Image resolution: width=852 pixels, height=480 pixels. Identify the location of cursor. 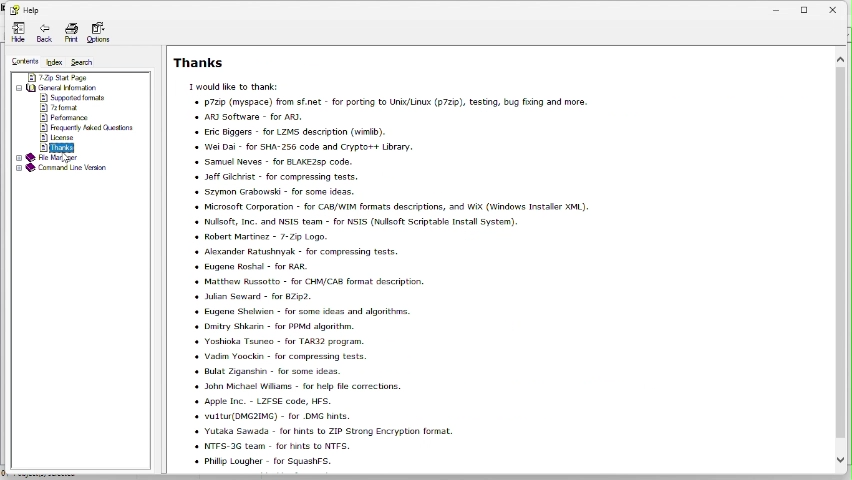
(67, 158).